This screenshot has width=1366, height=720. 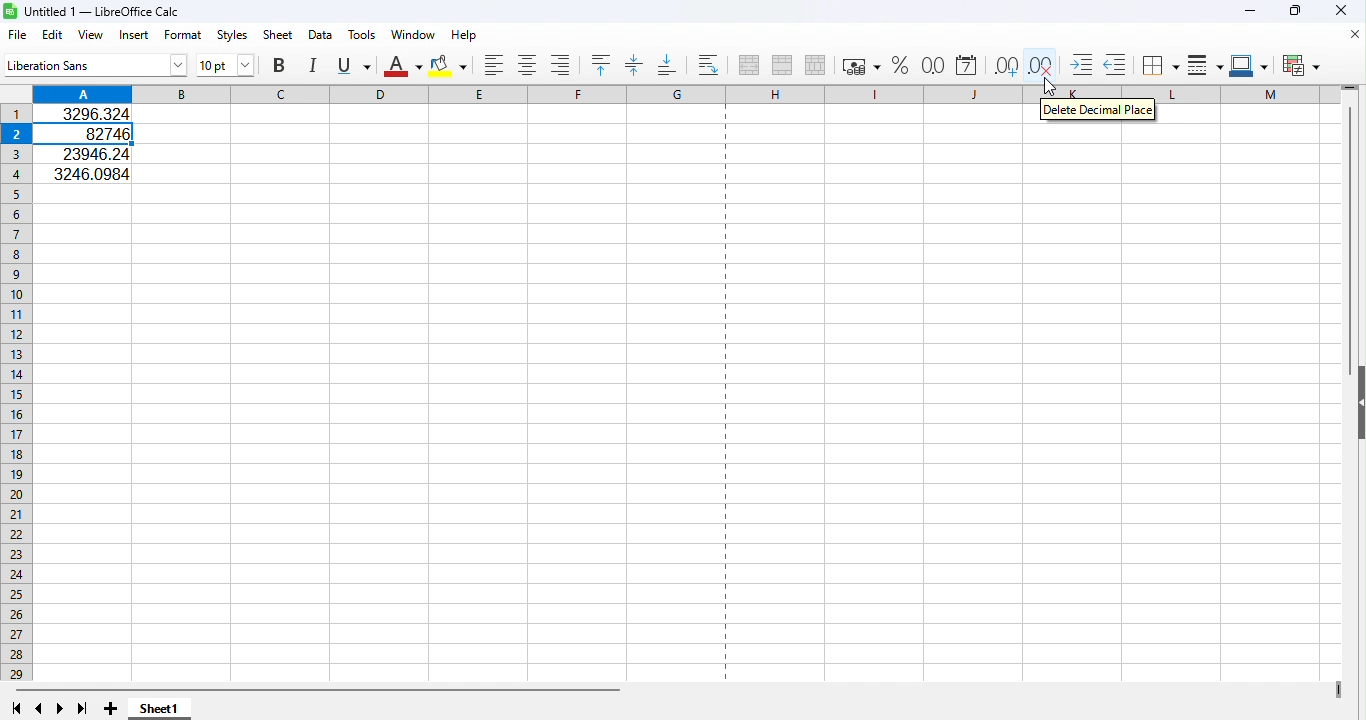 What do you see at coordinates (18, 392) in the screenshot?
I see `Rows` at bounding box center [18, 392].